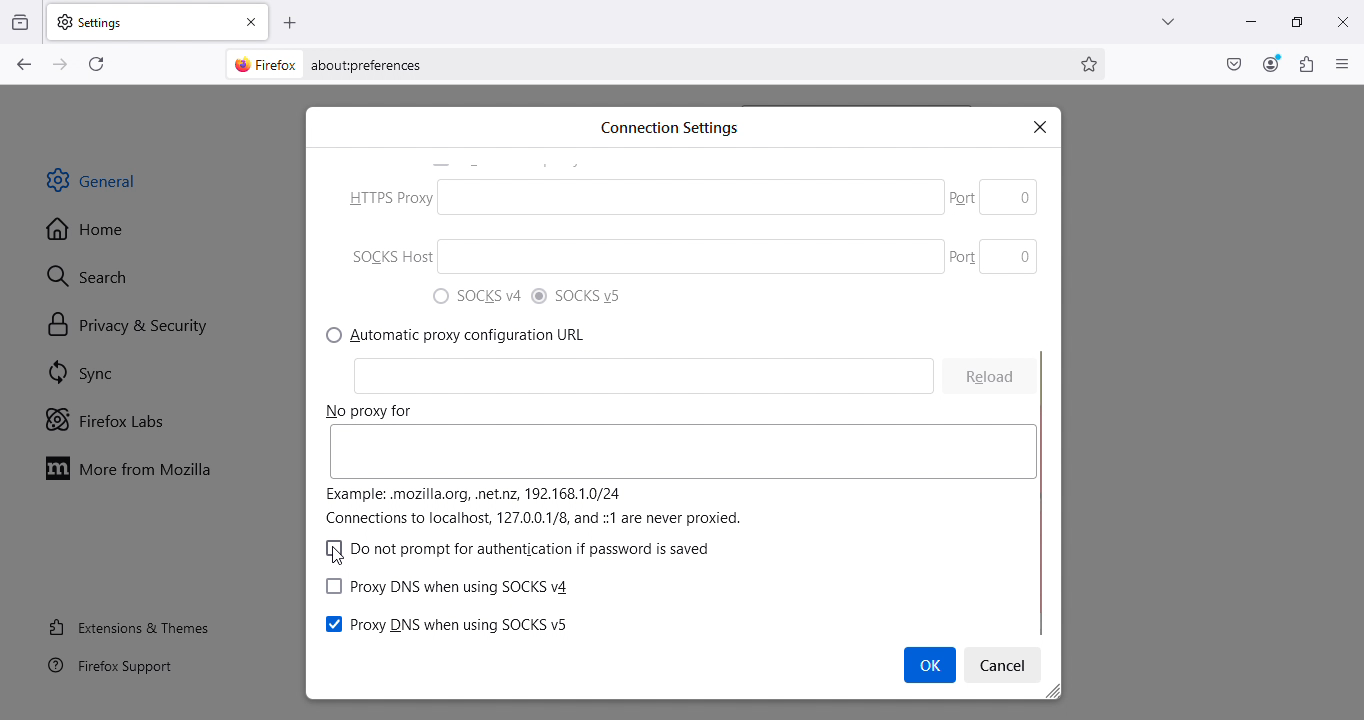  I want to click on Cursor, so click(928, 665).